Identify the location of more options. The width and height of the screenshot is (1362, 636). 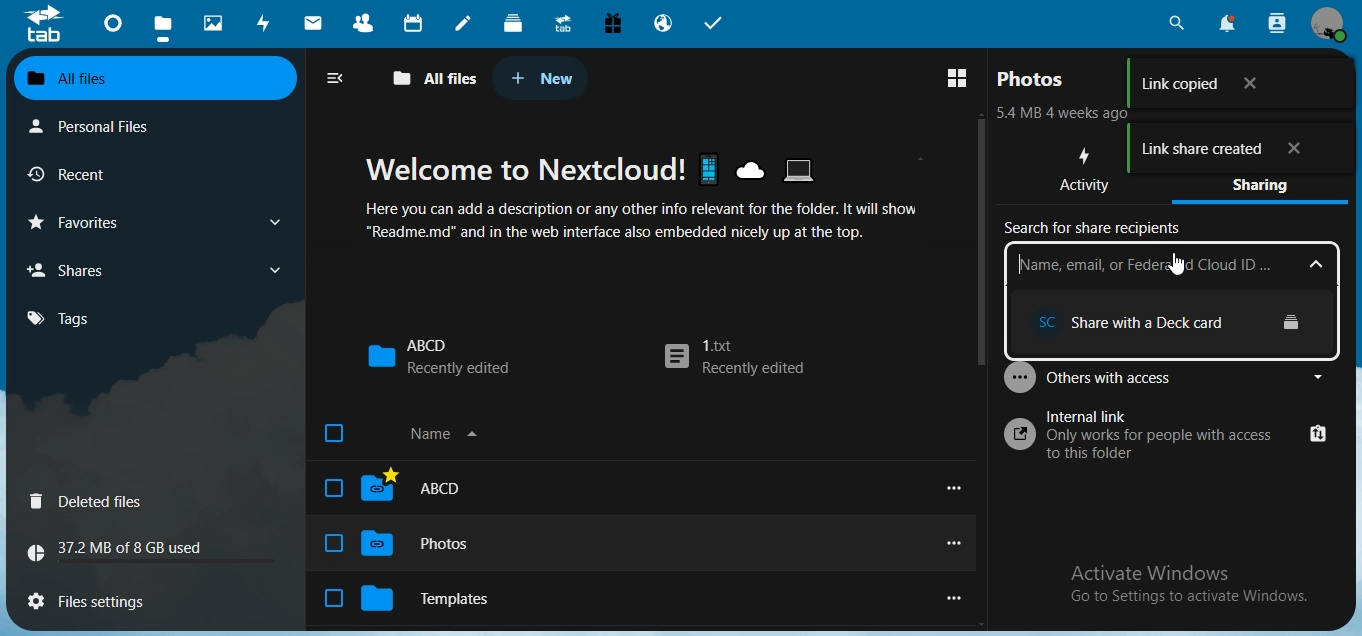
(961, 489).